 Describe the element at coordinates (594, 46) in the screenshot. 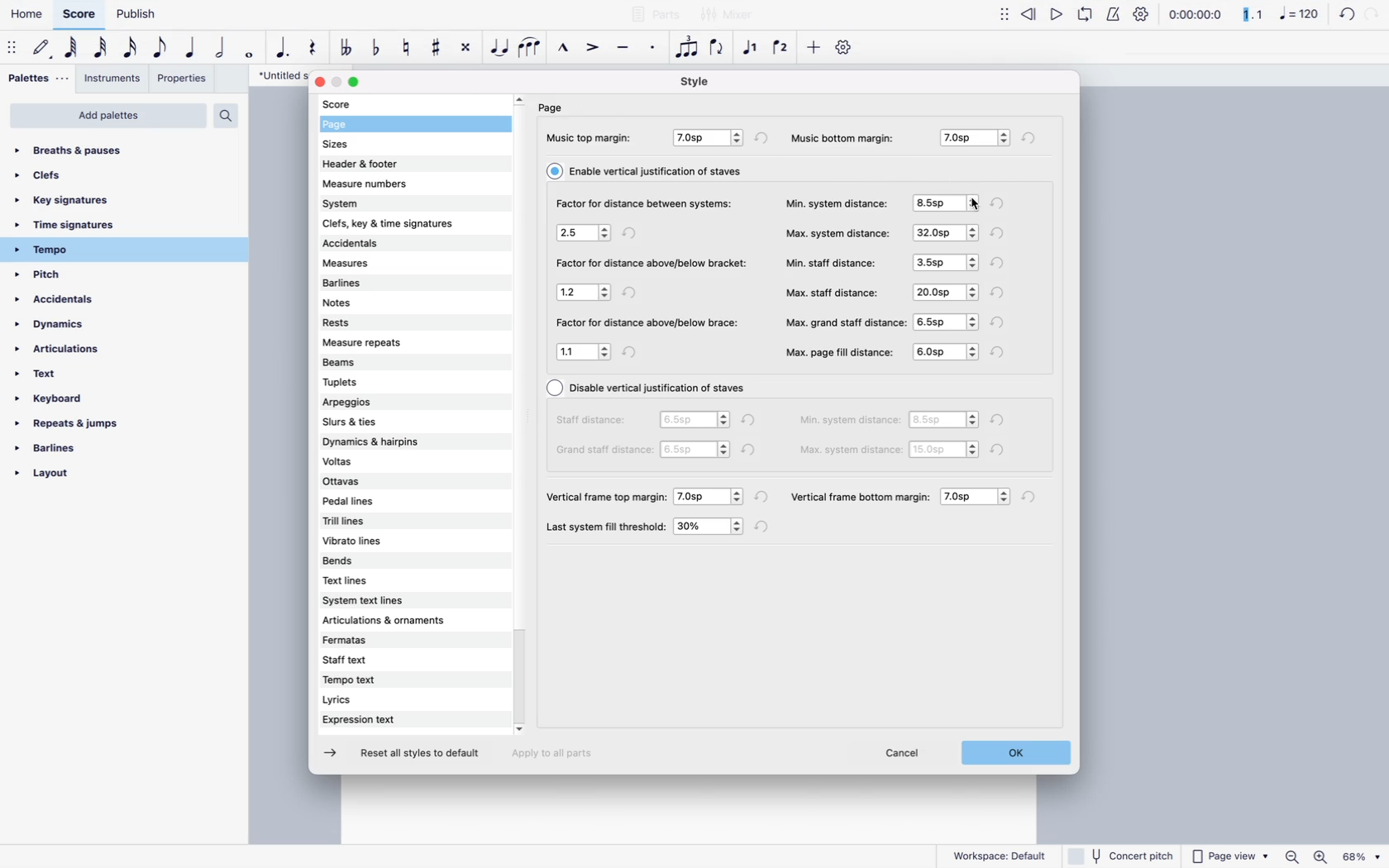

I see `accent` at that location.